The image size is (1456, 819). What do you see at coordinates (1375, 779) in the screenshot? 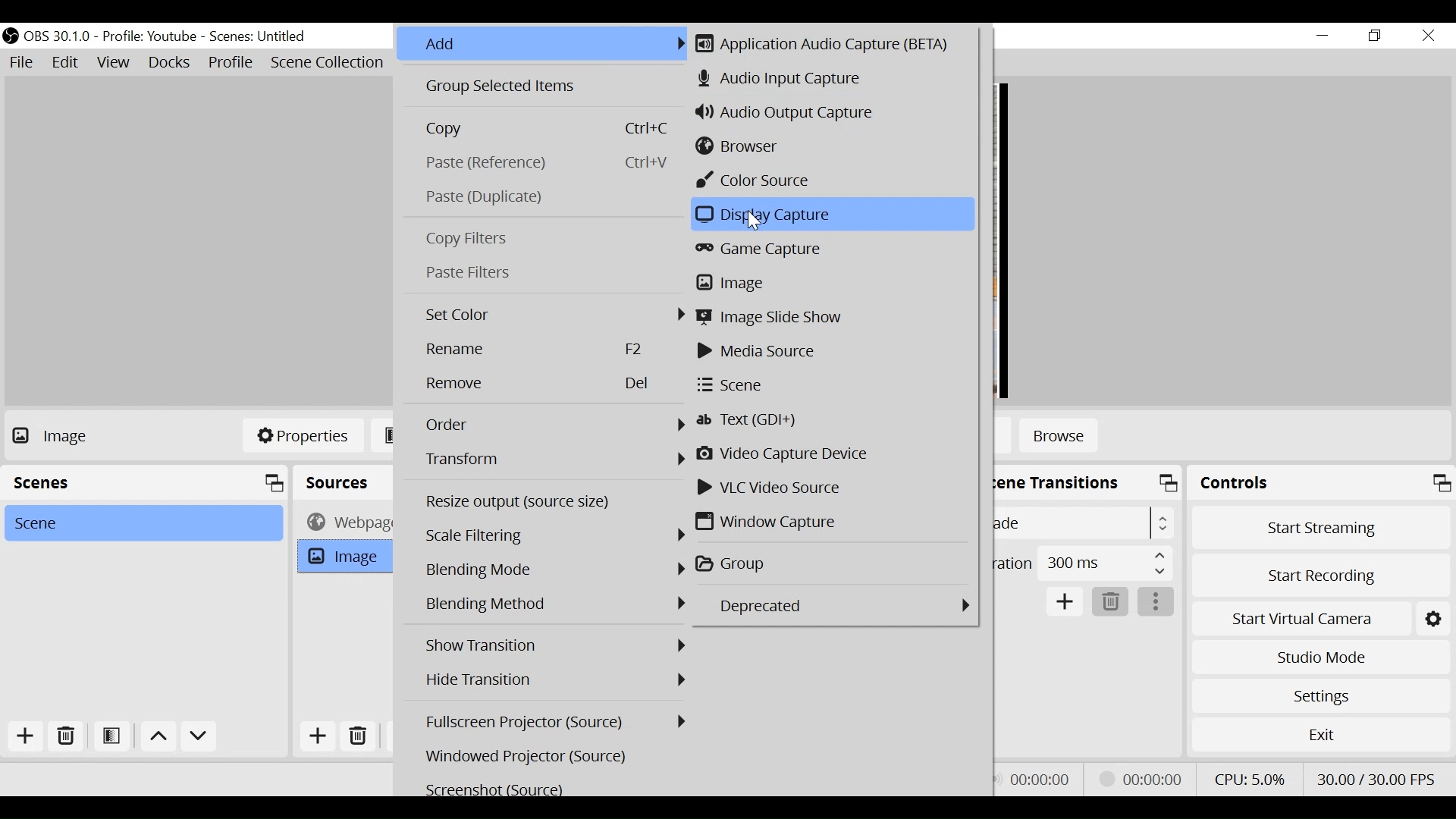
I see `Frame Per Second` at bounding box center [1375, 779].